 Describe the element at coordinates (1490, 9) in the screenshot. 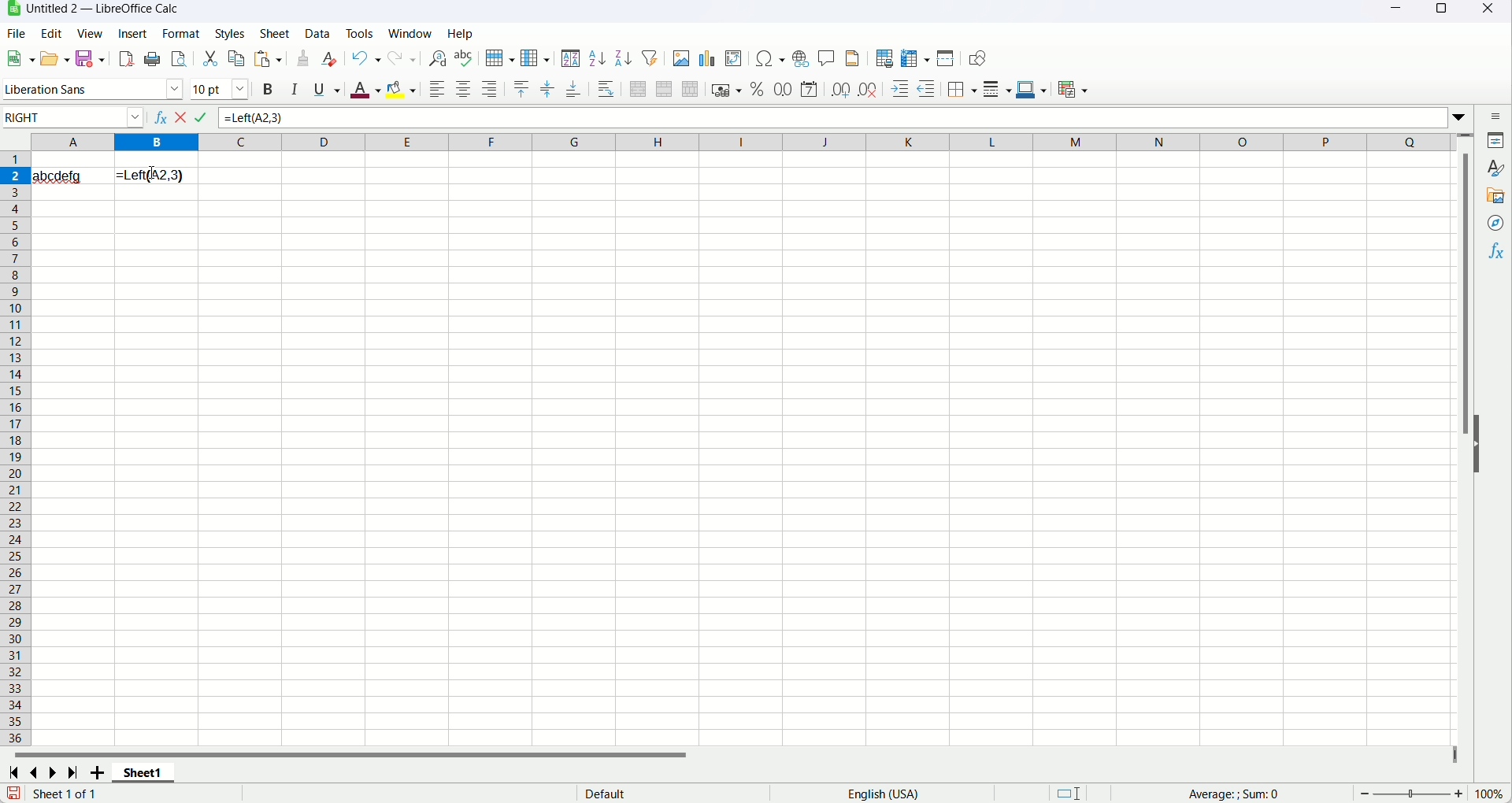

I see `close` at that location.